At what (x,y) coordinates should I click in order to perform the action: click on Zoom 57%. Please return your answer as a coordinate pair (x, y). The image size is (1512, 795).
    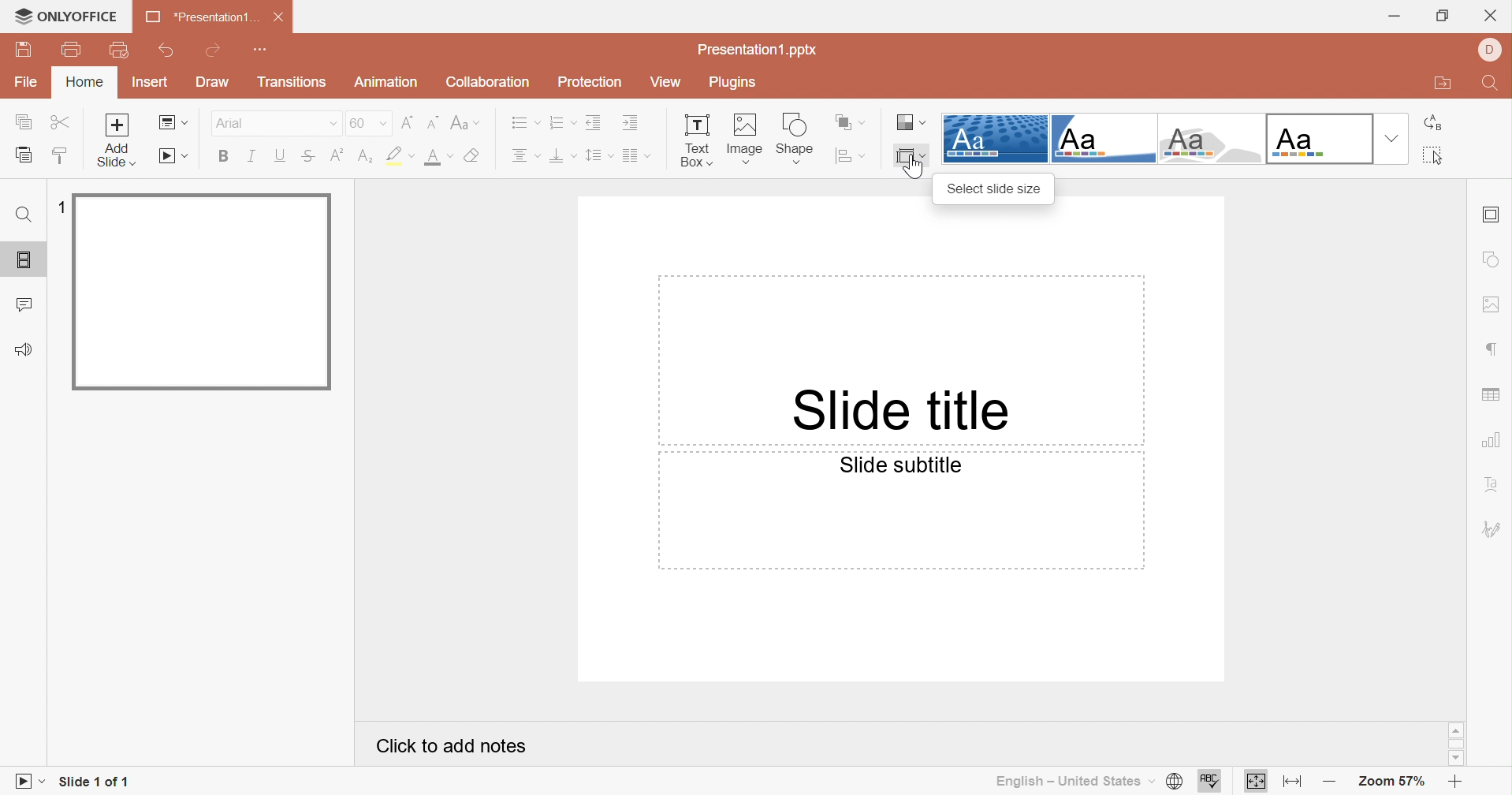
    Looking at the image, I should click on (1394, 783).